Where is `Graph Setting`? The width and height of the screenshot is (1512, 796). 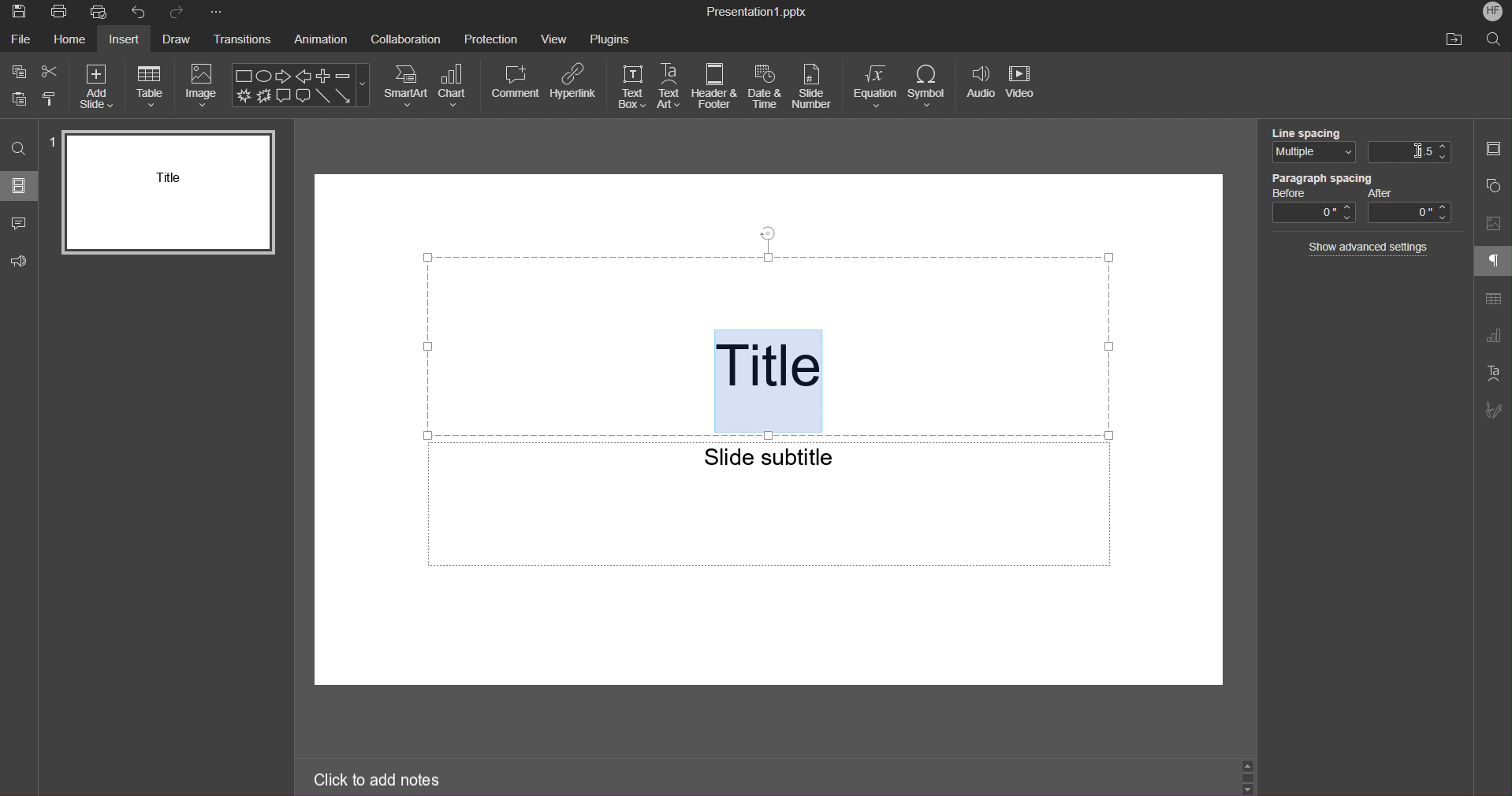
Graph Setting is located at coordinates (1493, 337).